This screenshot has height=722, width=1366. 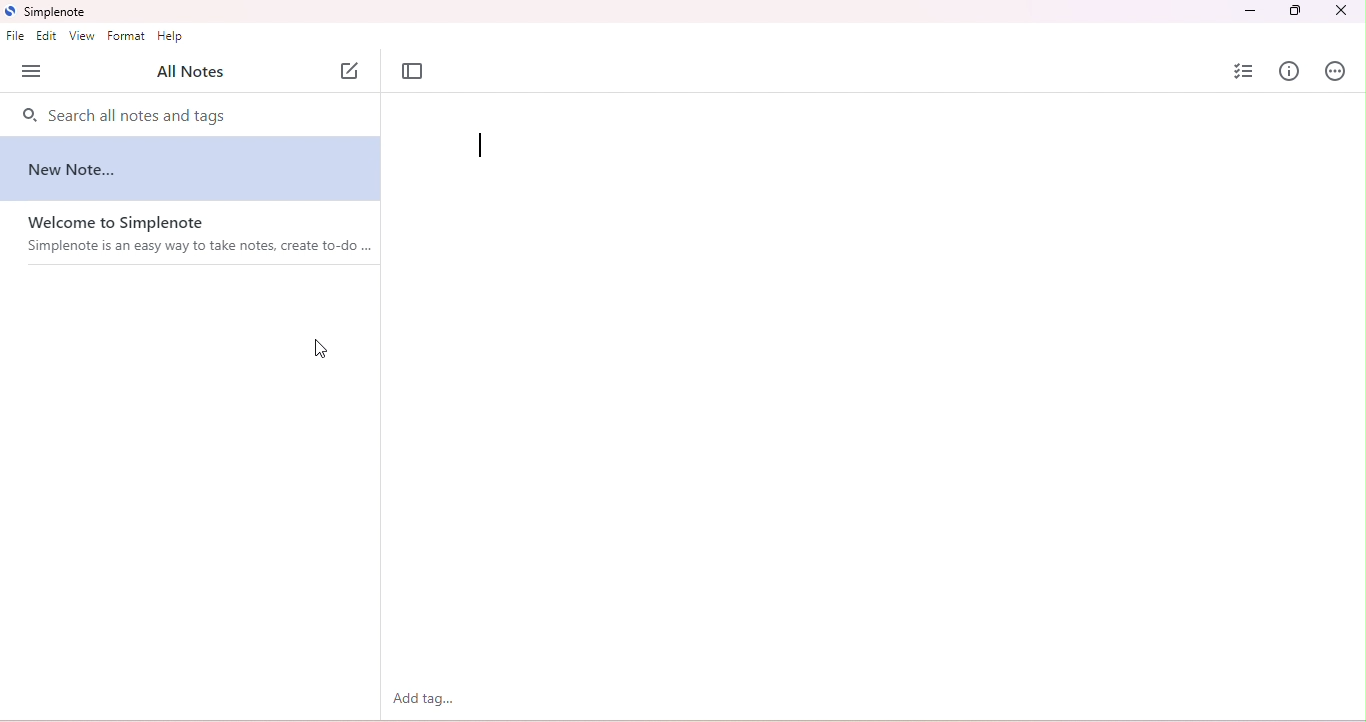 I want to click on view, so click(x=82, y=36).